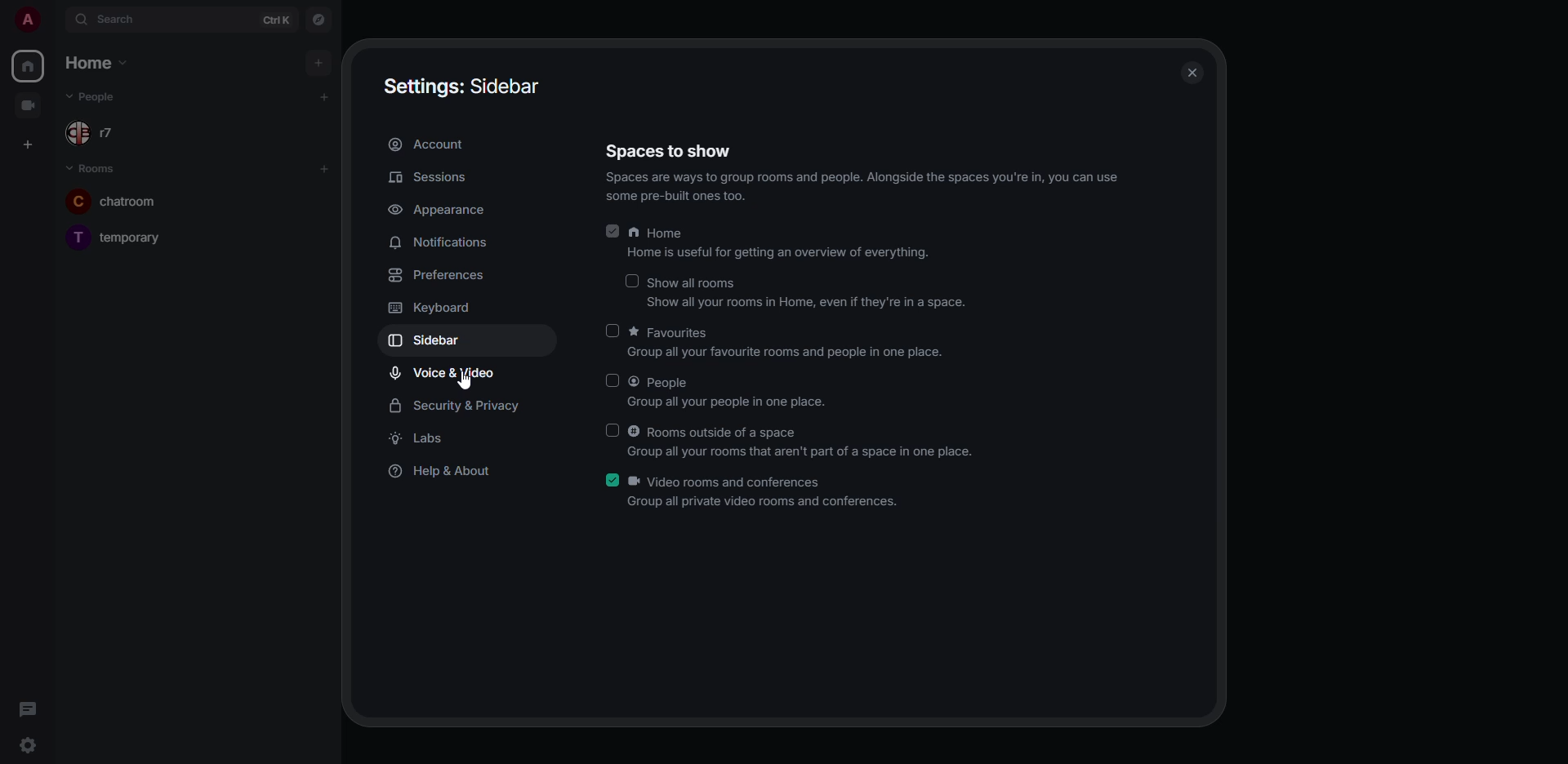  What do you see at coordinates (419, 439) in the screenshot?
I see `labs` at bounding box center [419, 439].